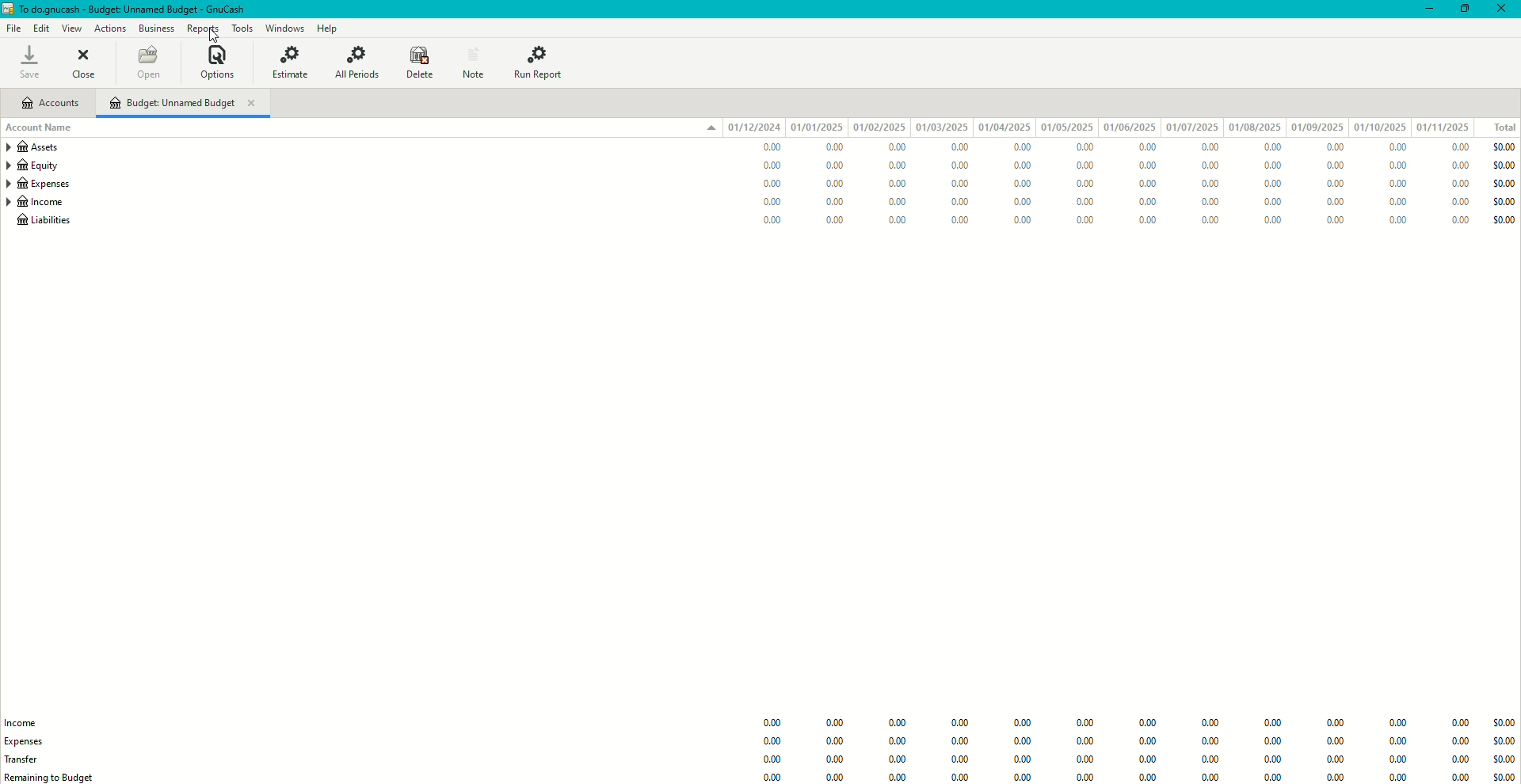 The width and height of the screenshot is (1521, 784). Describe the element at coordinates (840, 776) in the screenshot. I see `0.00` at that location.